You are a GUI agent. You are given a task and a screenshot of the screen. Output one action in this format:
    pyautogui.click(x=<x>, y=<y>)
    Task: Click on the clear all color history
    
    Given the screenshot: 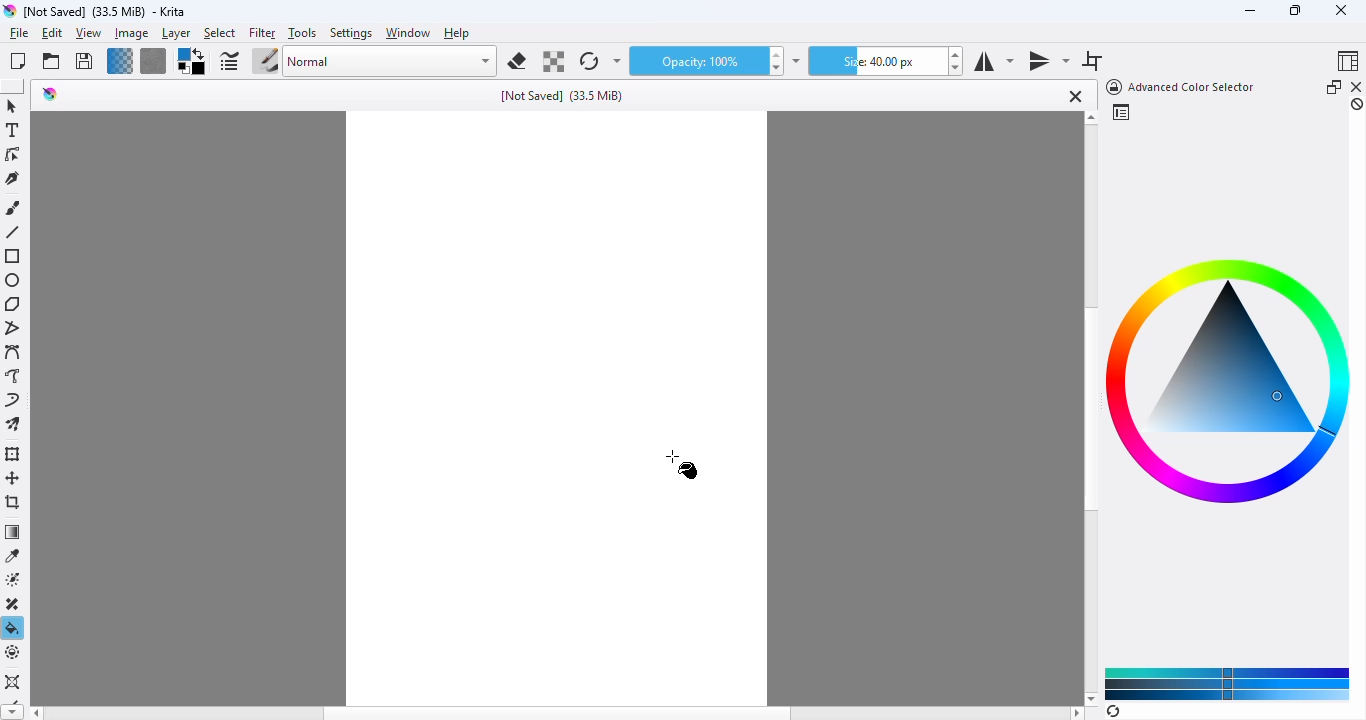 What is the action you would take?
    pyautogui.click(x=1357, y=104)
    